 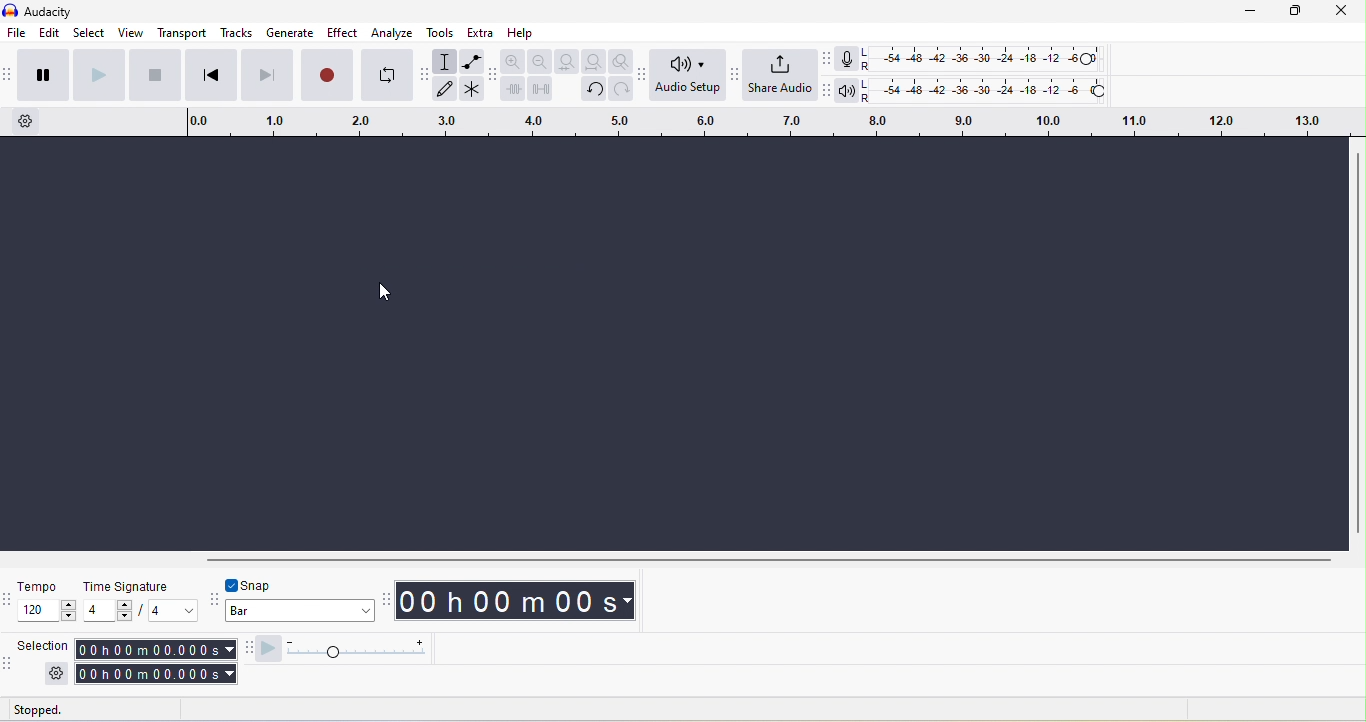 I want to click on zoom out, so click(x=540, y=61).